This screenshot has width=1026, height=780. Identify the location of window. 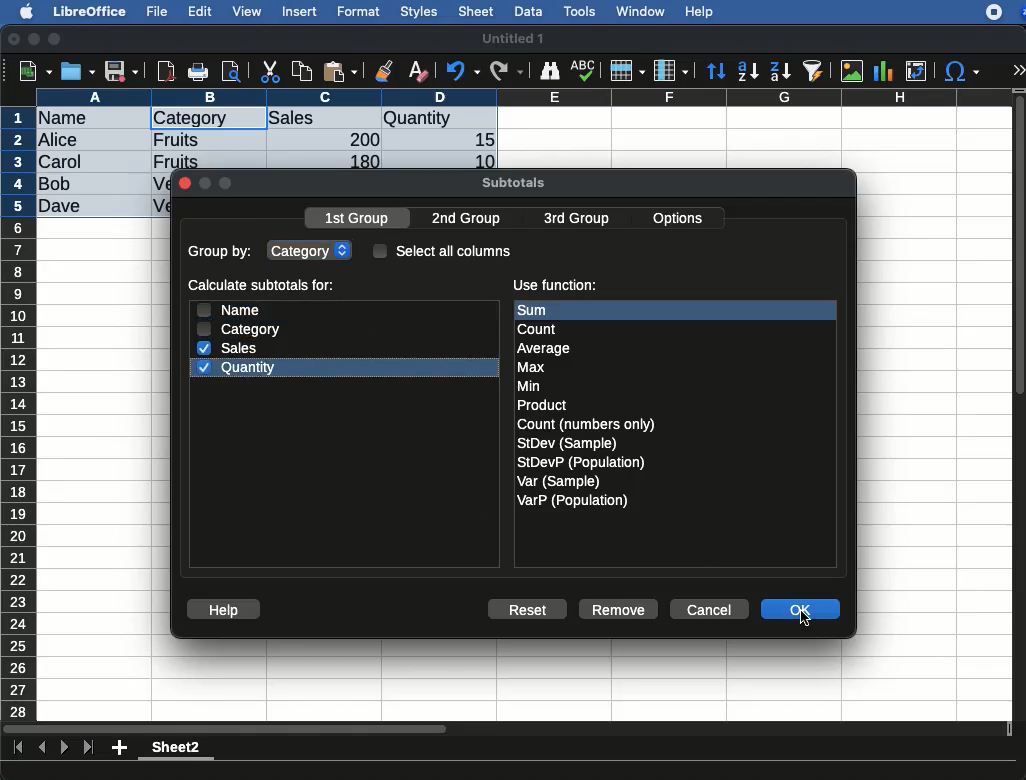
(638, 11).